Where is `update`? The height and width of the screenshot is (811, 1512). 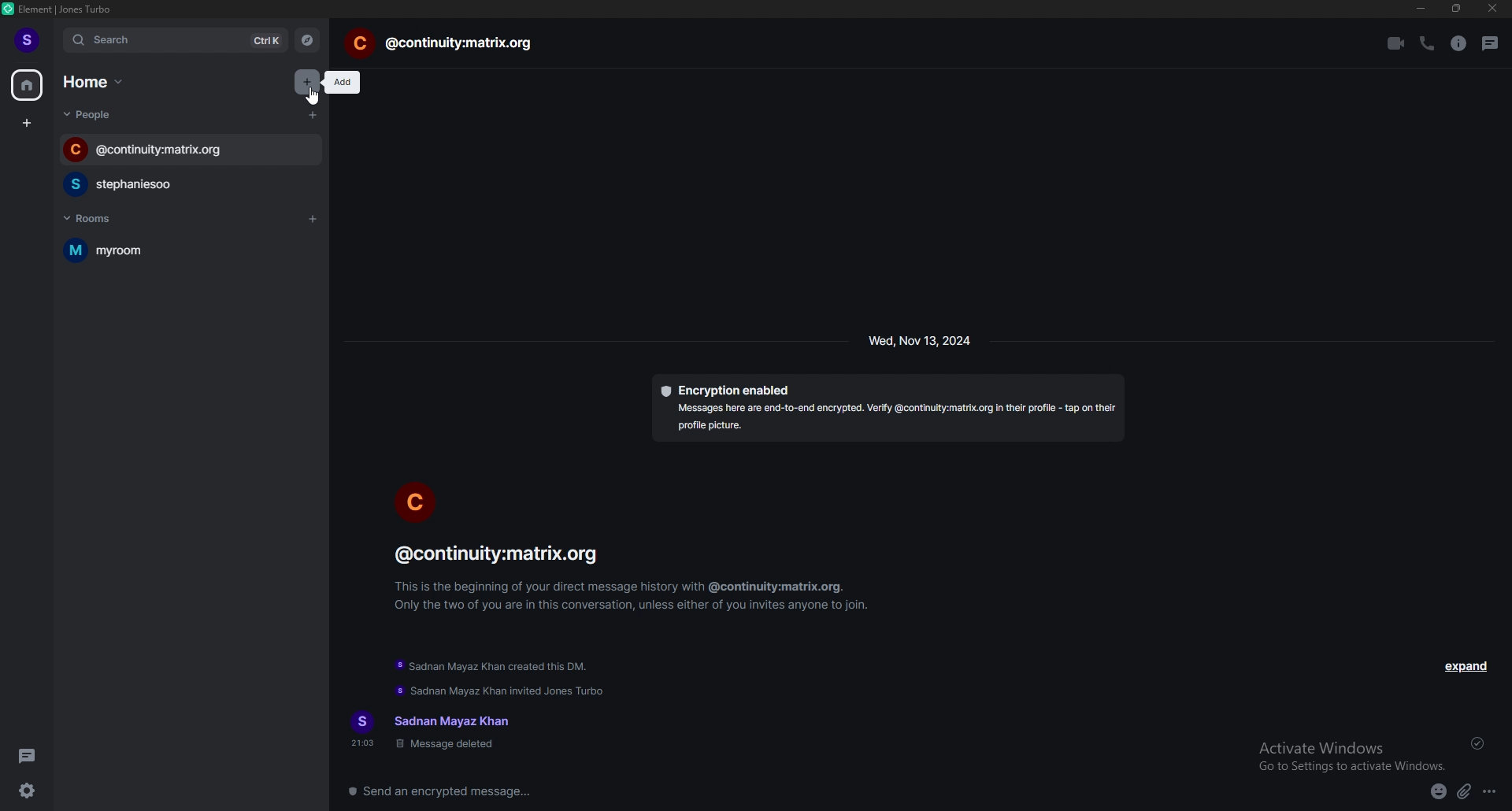
update is located at coordinates (494, 668).